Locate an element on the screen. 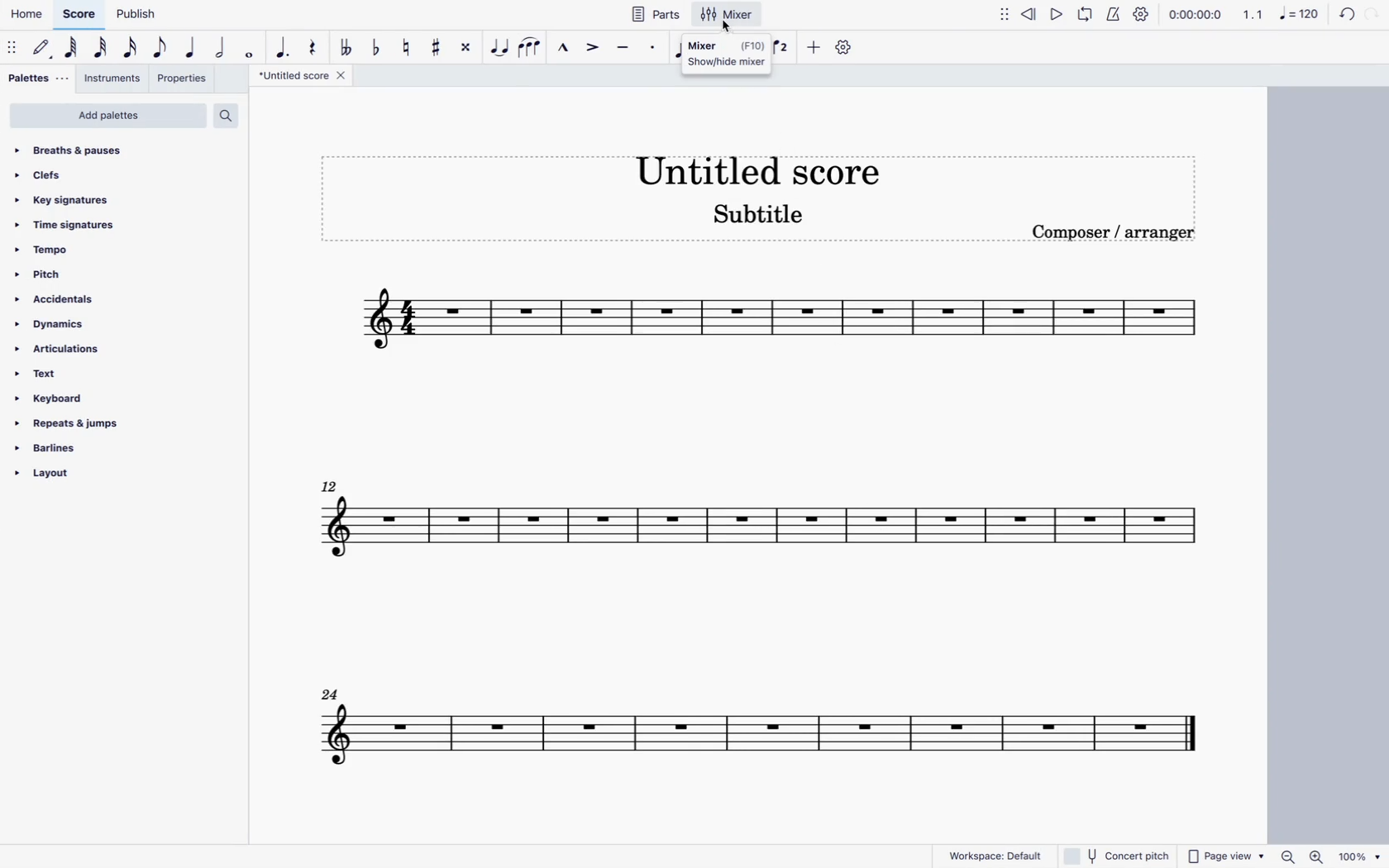 The width and height of the screenshot is (1389, 868). composer / arranger is located at coordinates (1115, 231).